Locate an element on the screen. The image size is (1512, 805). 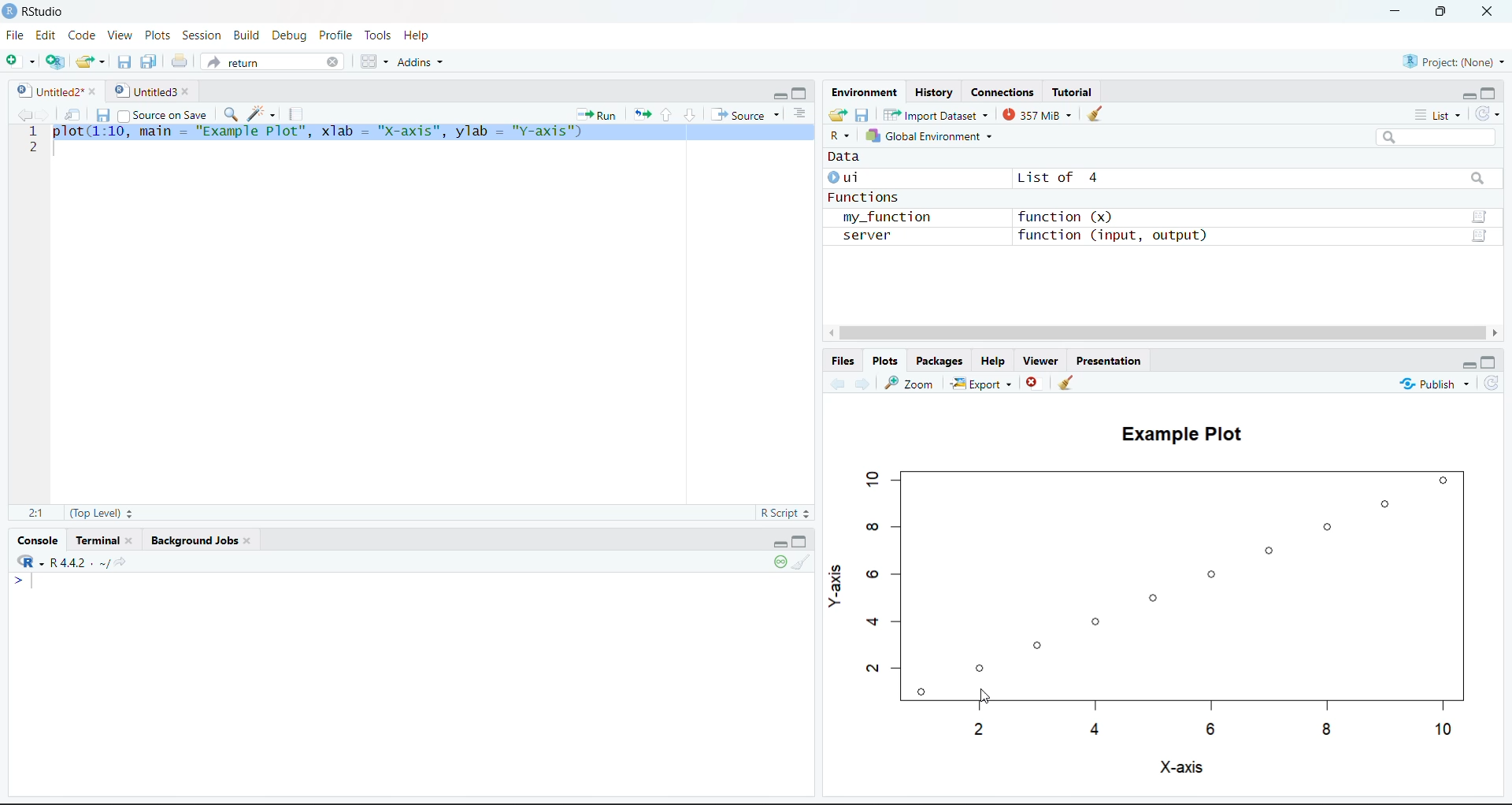
R.4.4.2. ~/ is located at coordinates (74, 562).